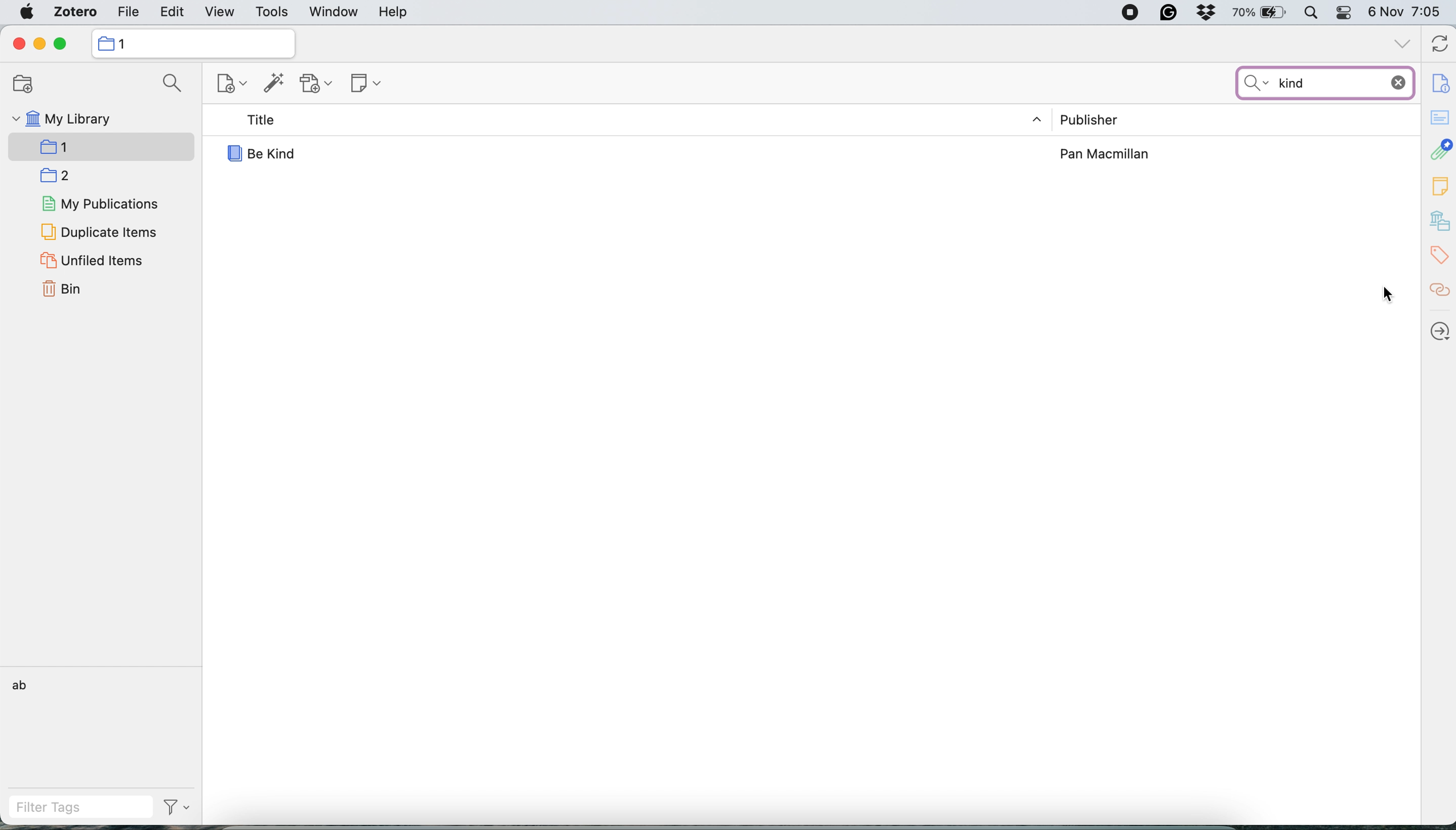 The image size is (1456, 830). I want to click on Be Kind, so click(277, 153).